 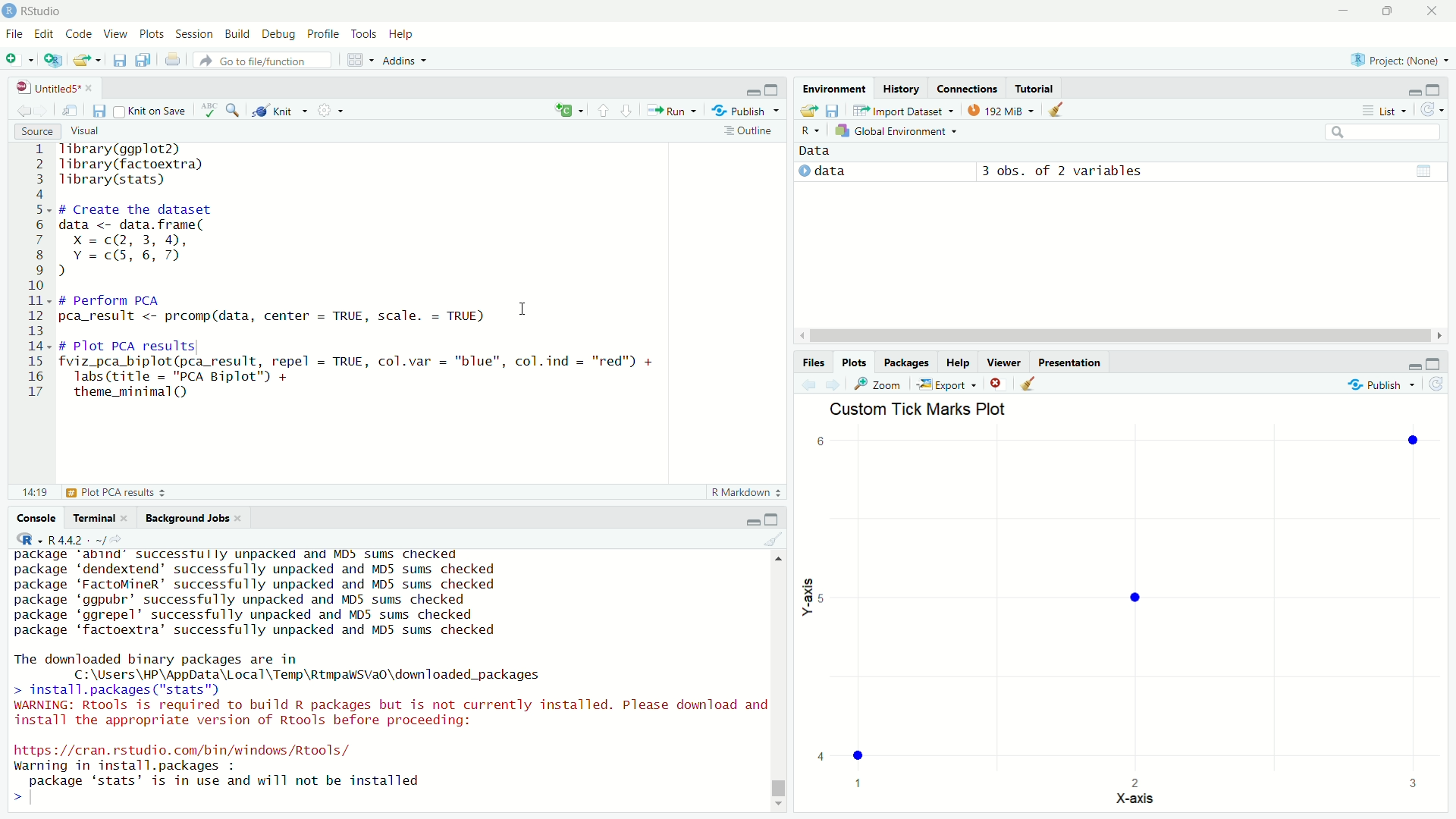 What do you see at coordinates (748, 132) in the screenshot?
I see `outline` at bounding box center [748, 132].